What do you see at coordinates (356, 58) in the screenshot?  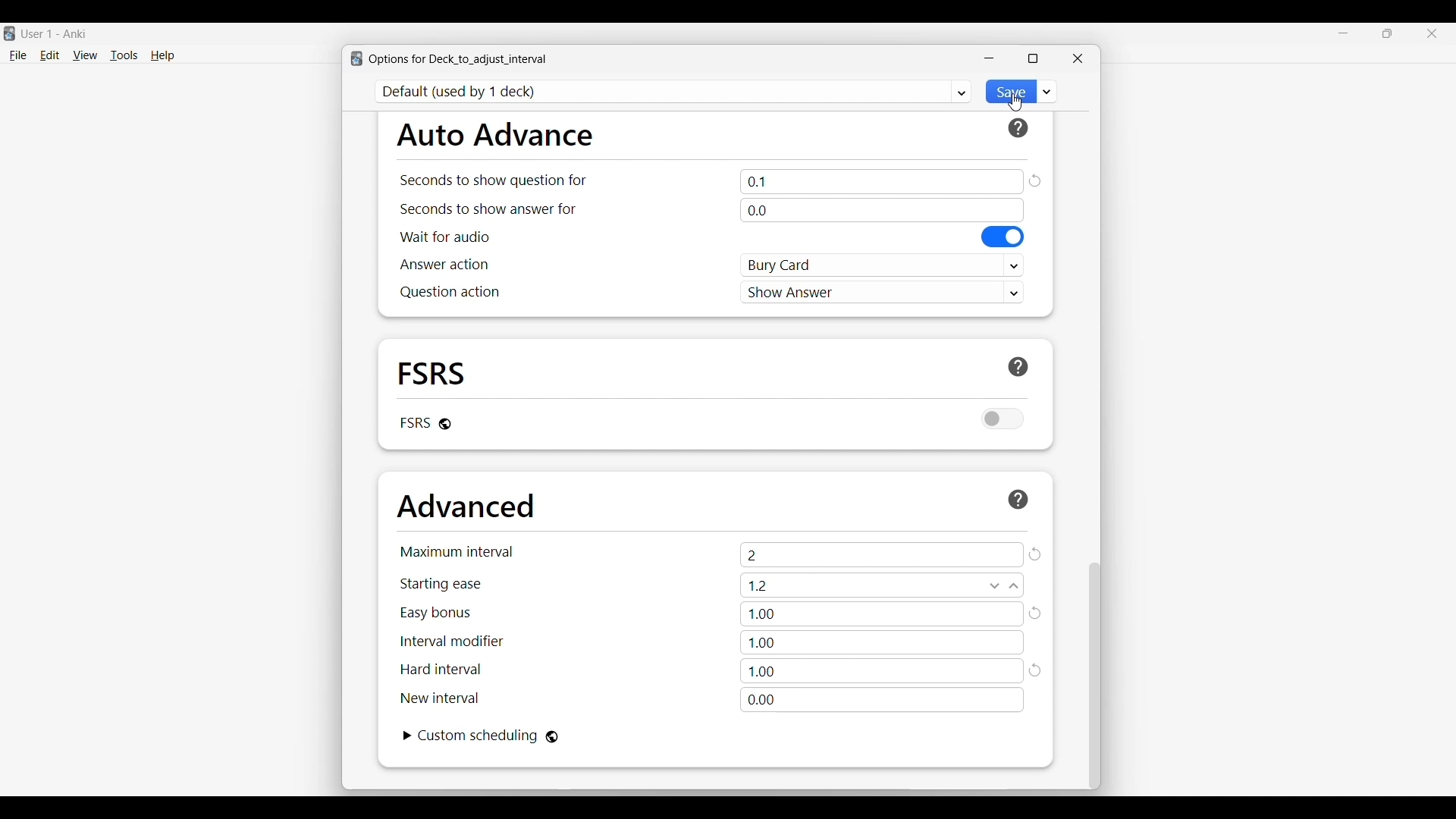 I see `Software logo` at bounding box center [356, 58].